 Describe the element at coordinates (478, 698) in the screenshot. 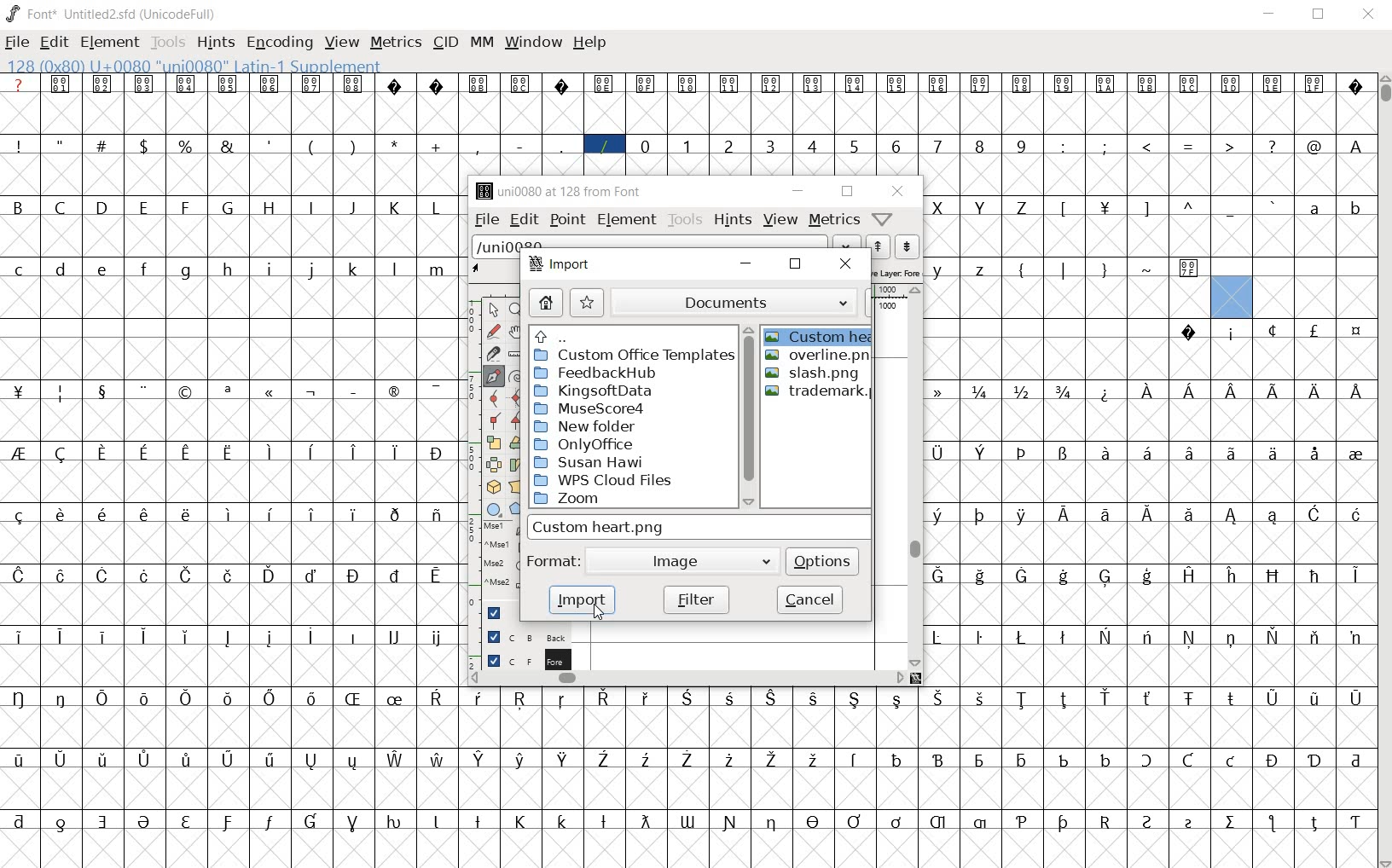

I see `glyph` at that location.